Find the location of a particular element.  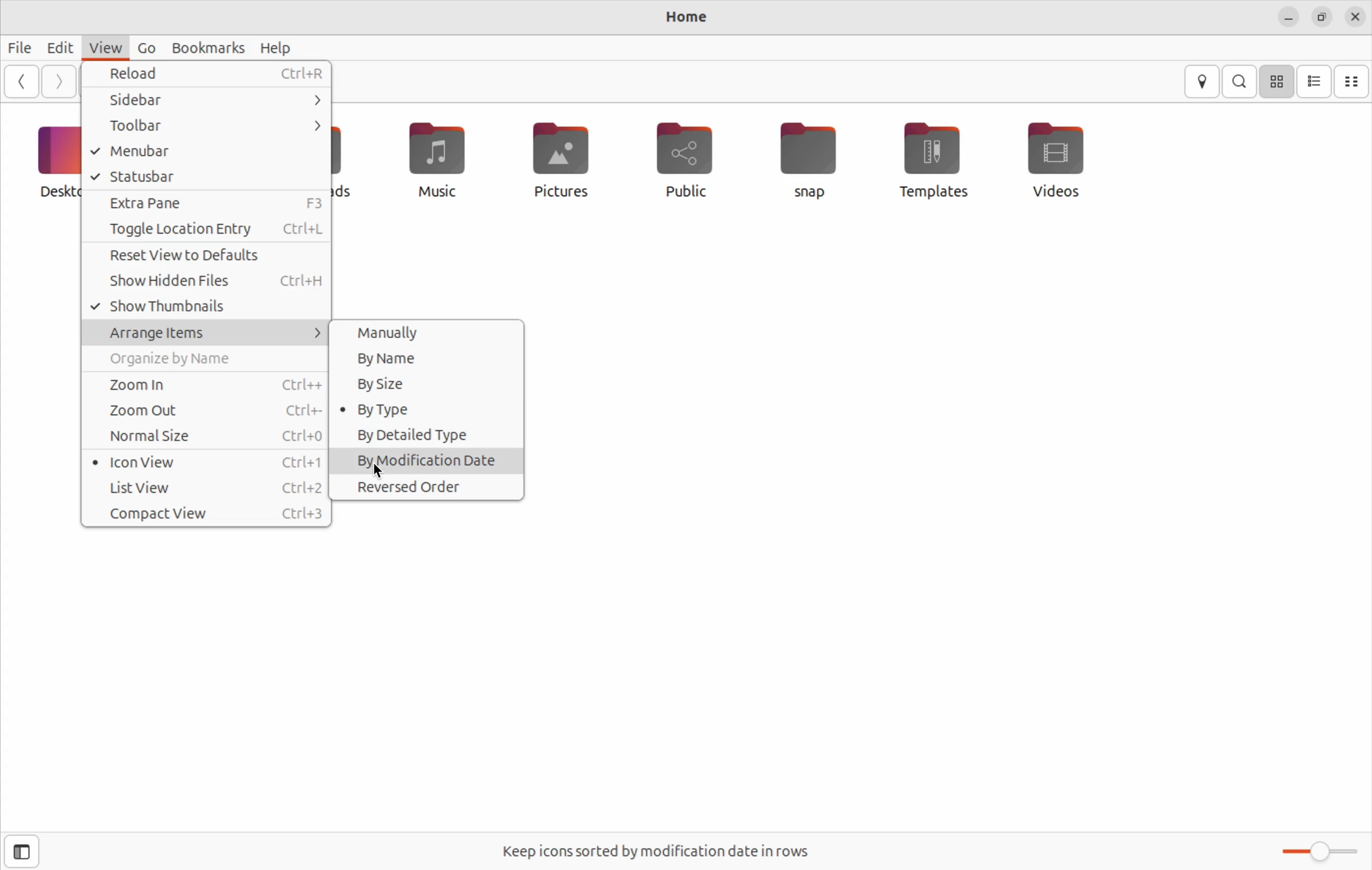

show thumb nails is located at coordinates (207, 308).